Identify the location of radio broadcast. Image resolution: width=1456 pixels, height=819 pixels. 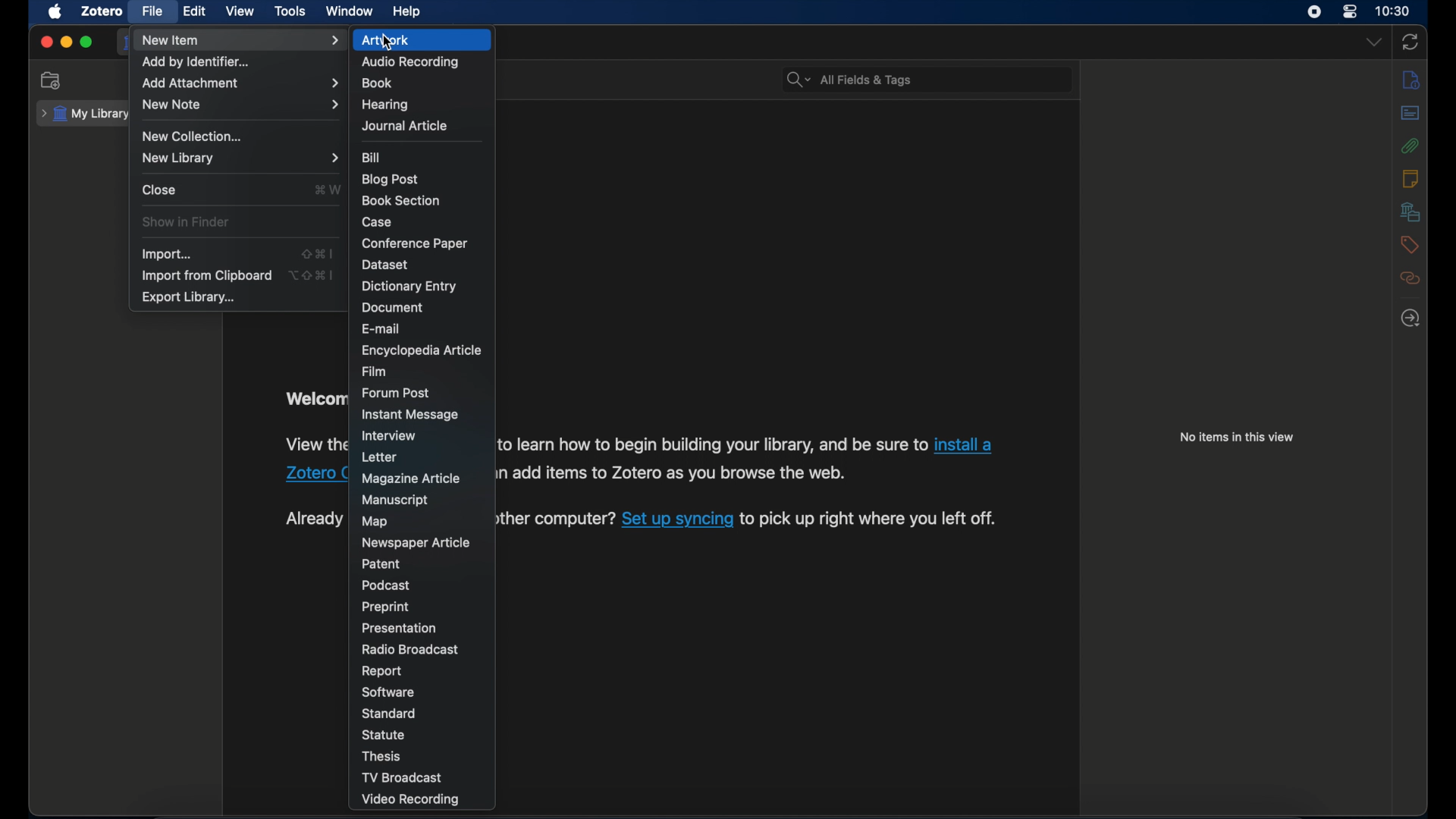
(409, 649).